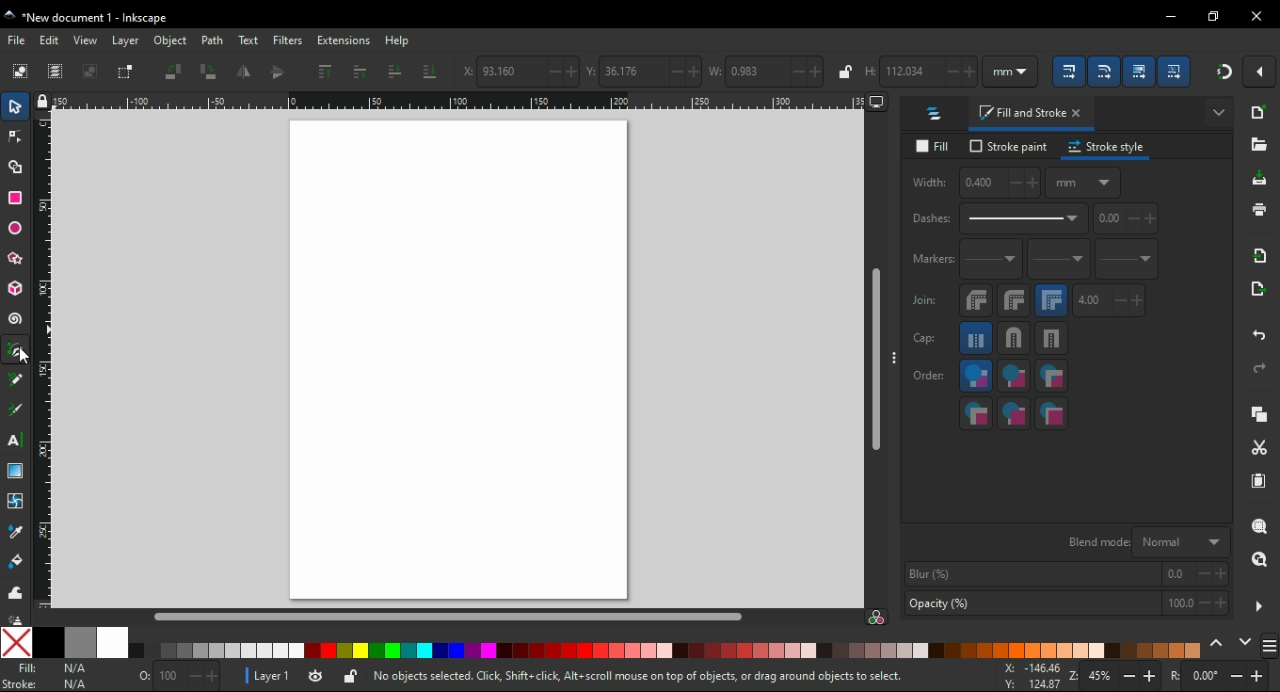 Image resolution: width=1280 pixels, height=692 pixels. I want to click on stroke paint, so click(1009, 146).